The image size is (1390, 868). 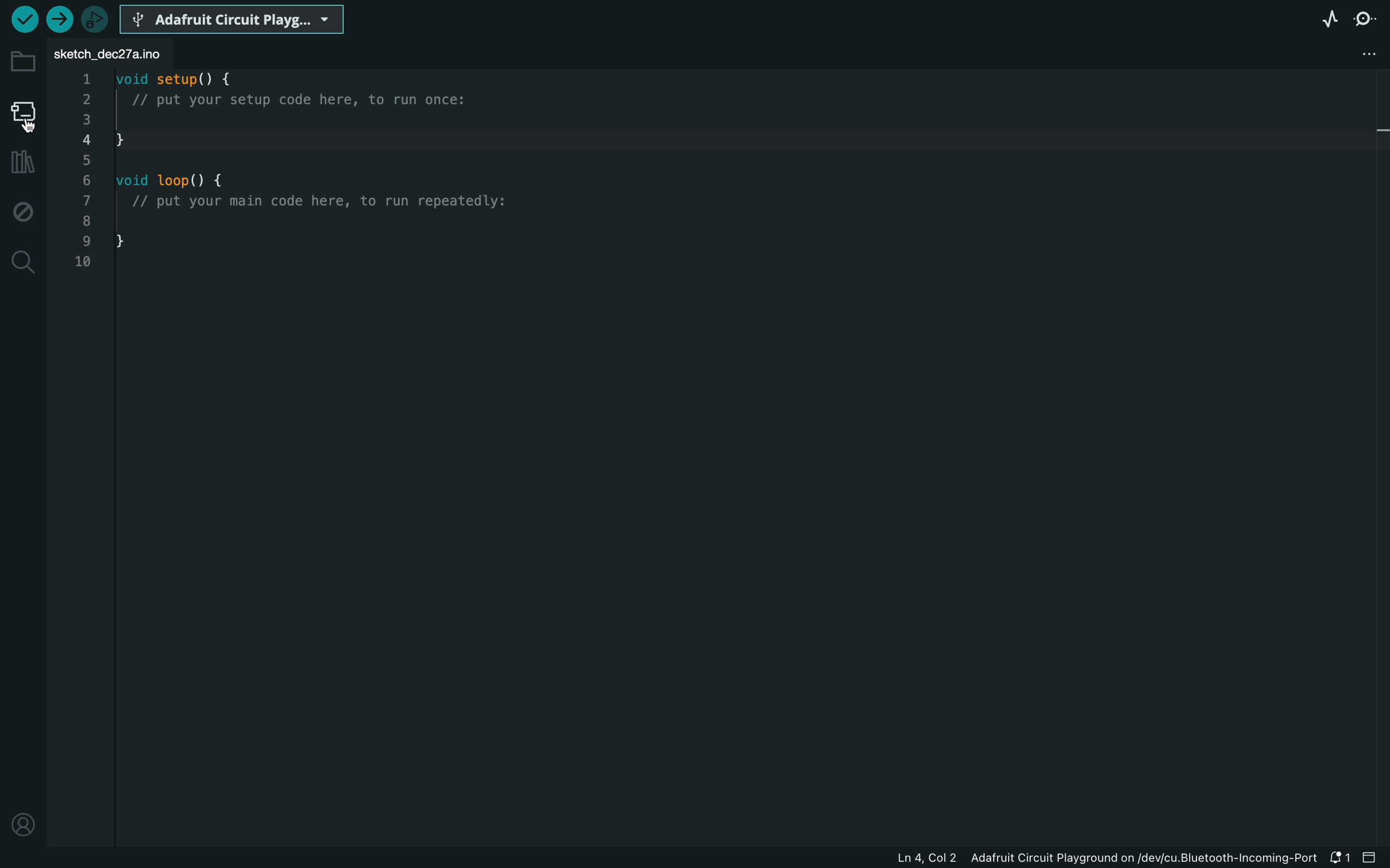 I want to click on debugger, so click(x=96, y=18).